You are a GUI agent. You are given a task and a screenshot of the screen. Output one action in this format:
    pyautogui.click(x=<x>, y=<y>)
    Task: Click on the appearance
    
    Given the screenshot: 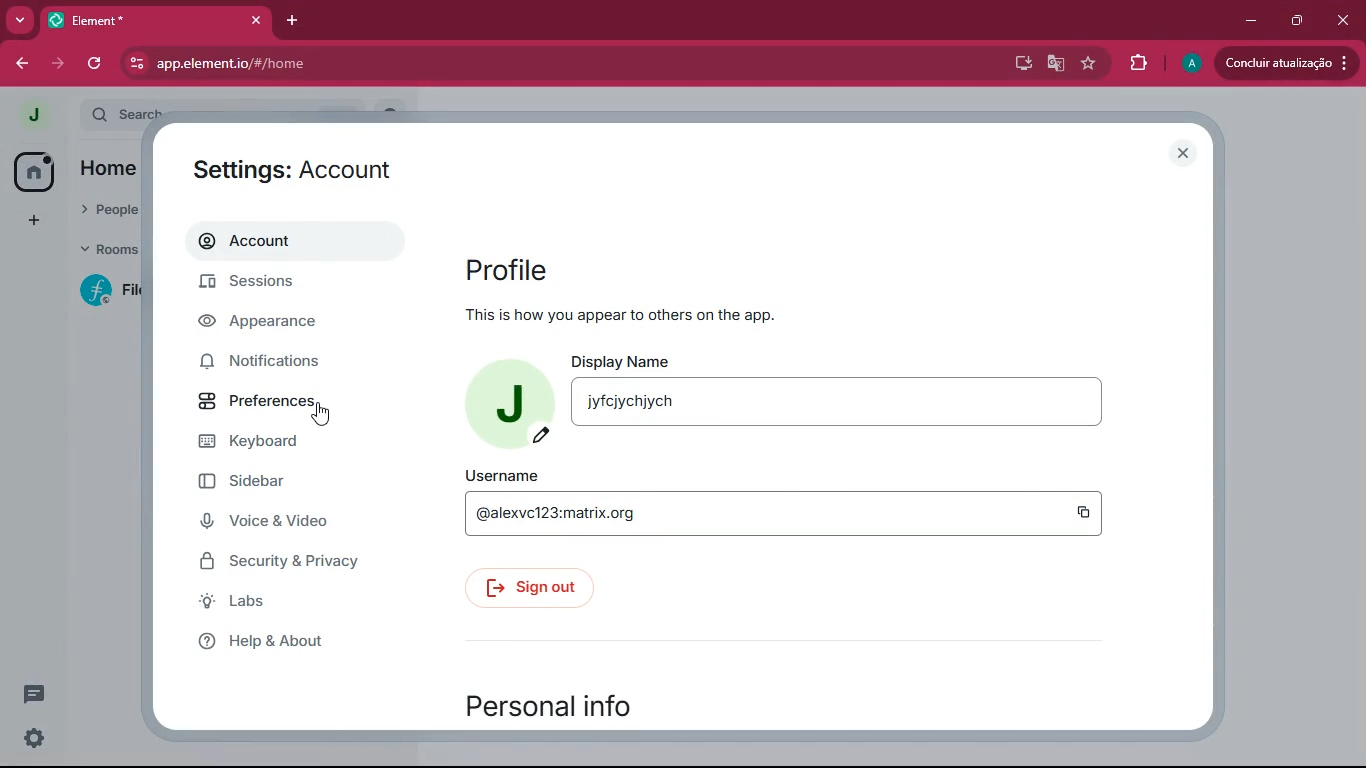 What is the action you would take?
    pyautogui.click(x=268, y=325)
    